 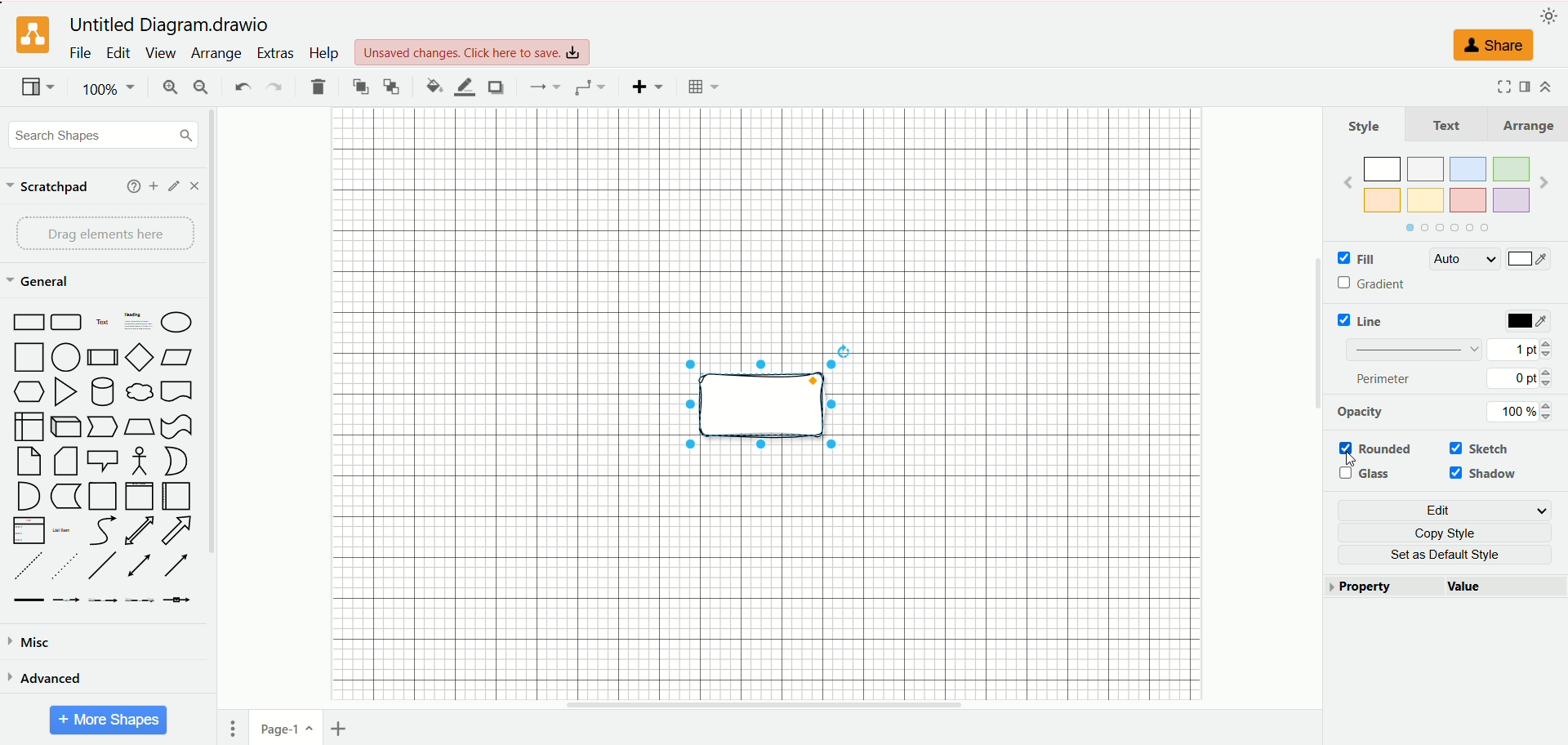 I want to click on property, so click(x=1384, y=587).